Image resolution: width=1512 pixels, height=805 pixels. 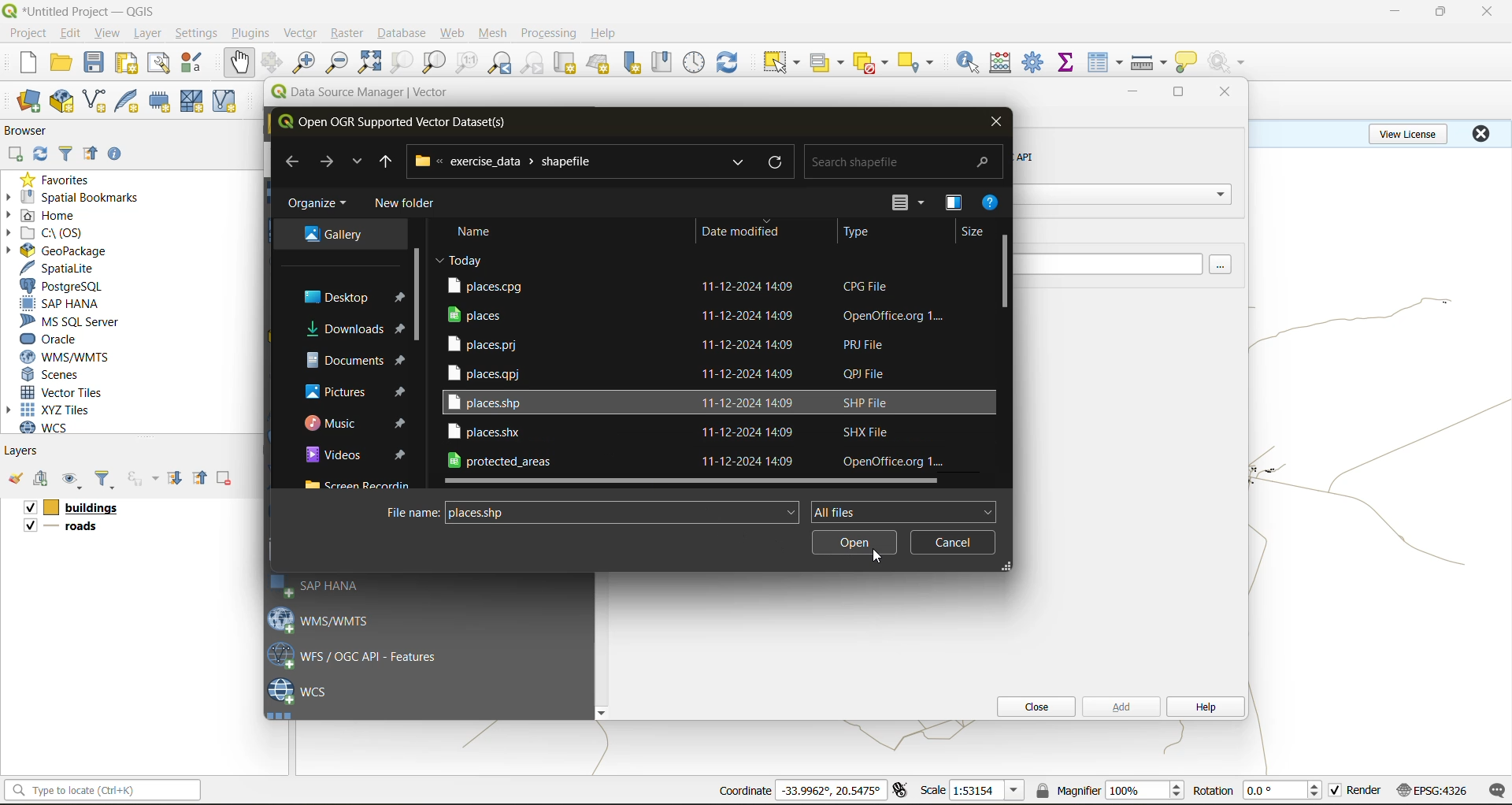 What do you see at coordinates (28, 508) in the screenshot?
I see `checkbox` at bounding box center [28, 508].